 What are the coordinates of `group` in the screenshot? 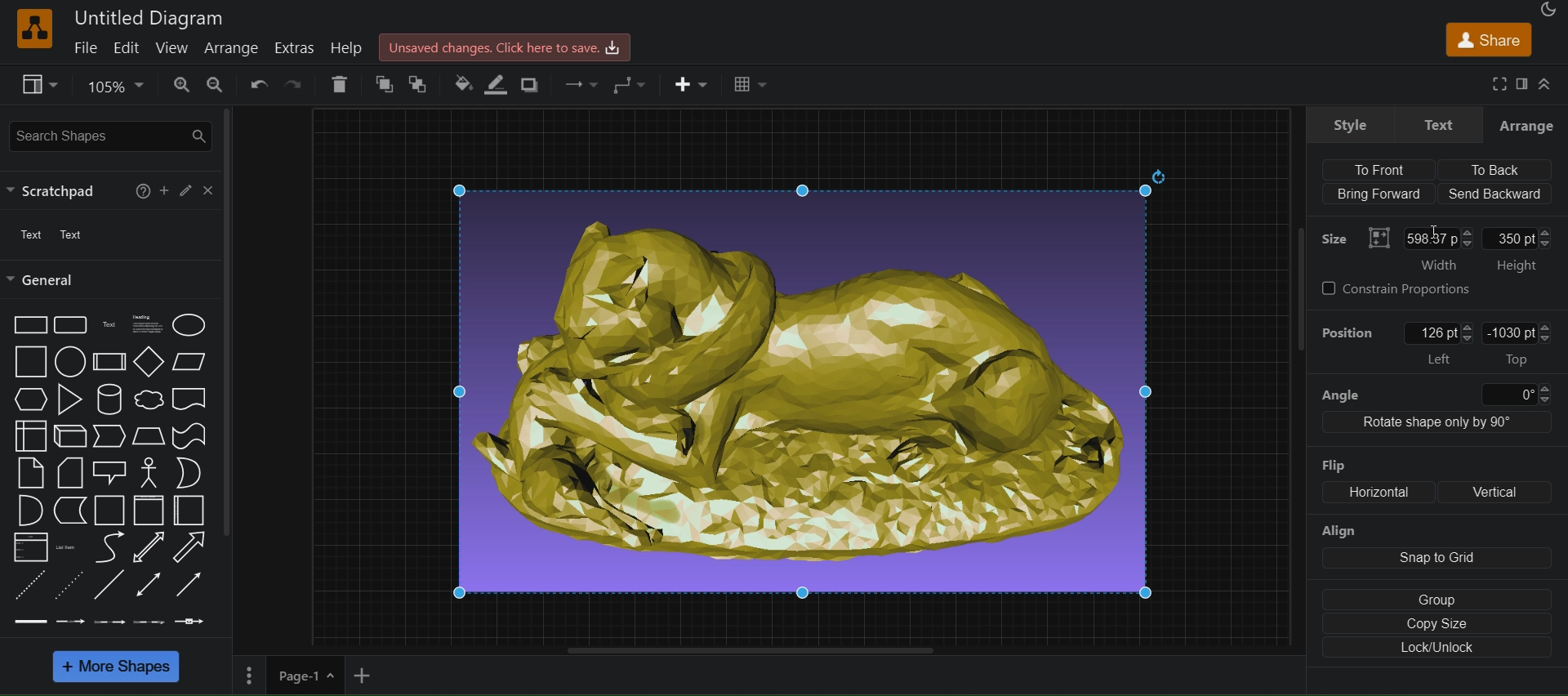 It's located at (1432, 598).